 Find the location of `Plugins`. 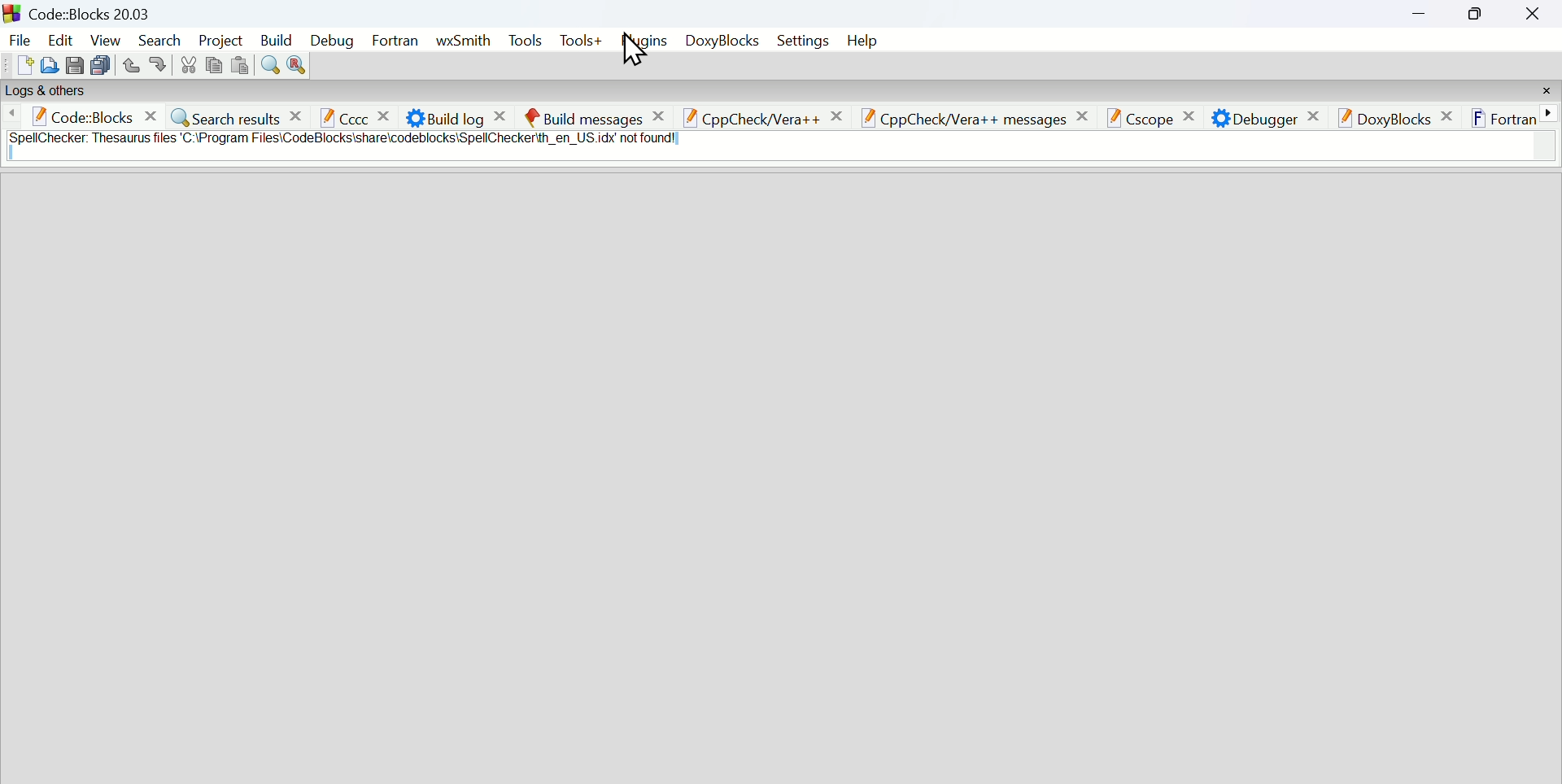

Plugins is located at coordinates (644, 40).